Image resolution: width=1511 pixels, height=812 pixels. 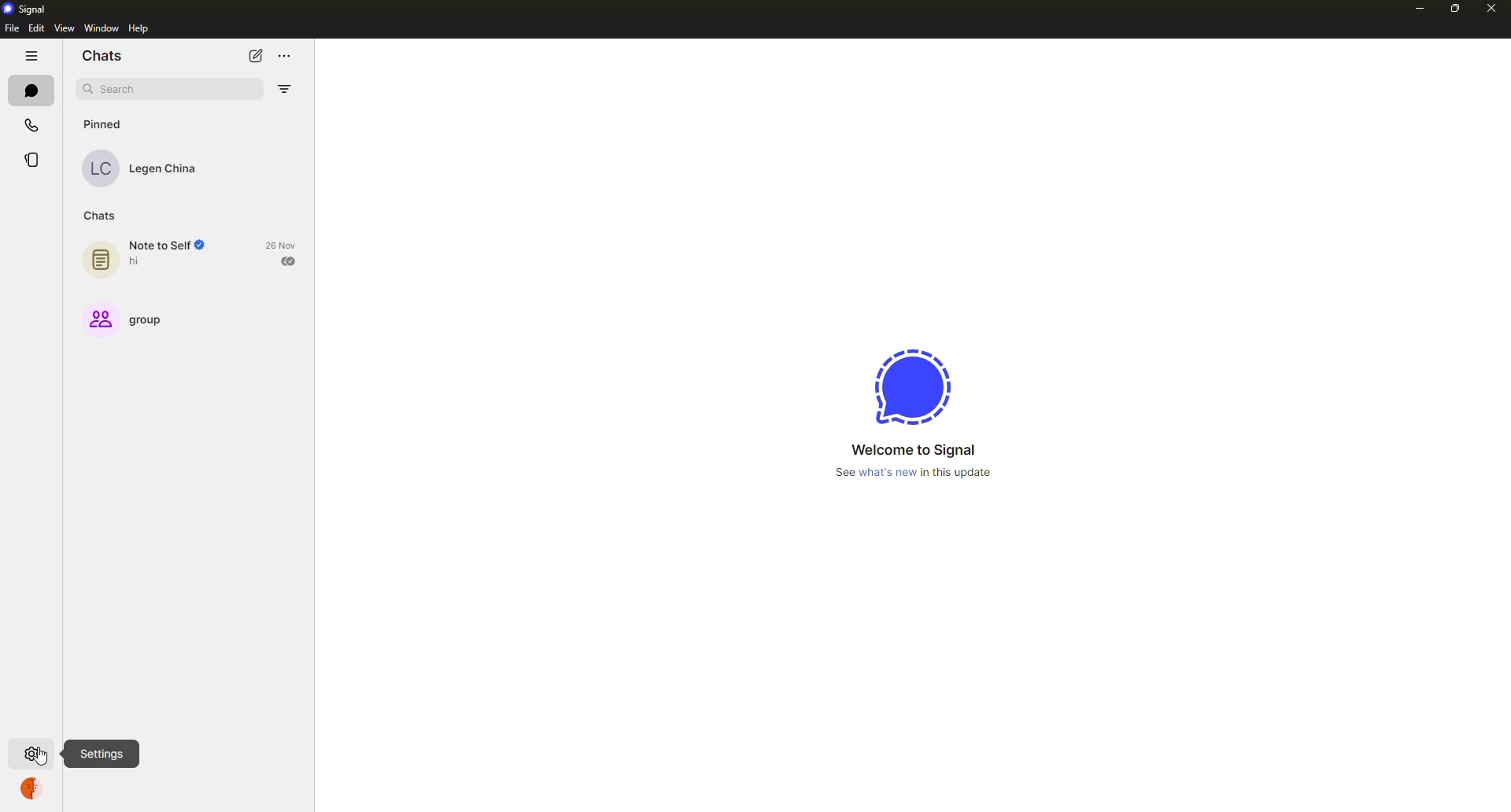 What do you see at coordinates (289, 261) in the screenshot?
I see `sent` at bounding box center [289, 261].